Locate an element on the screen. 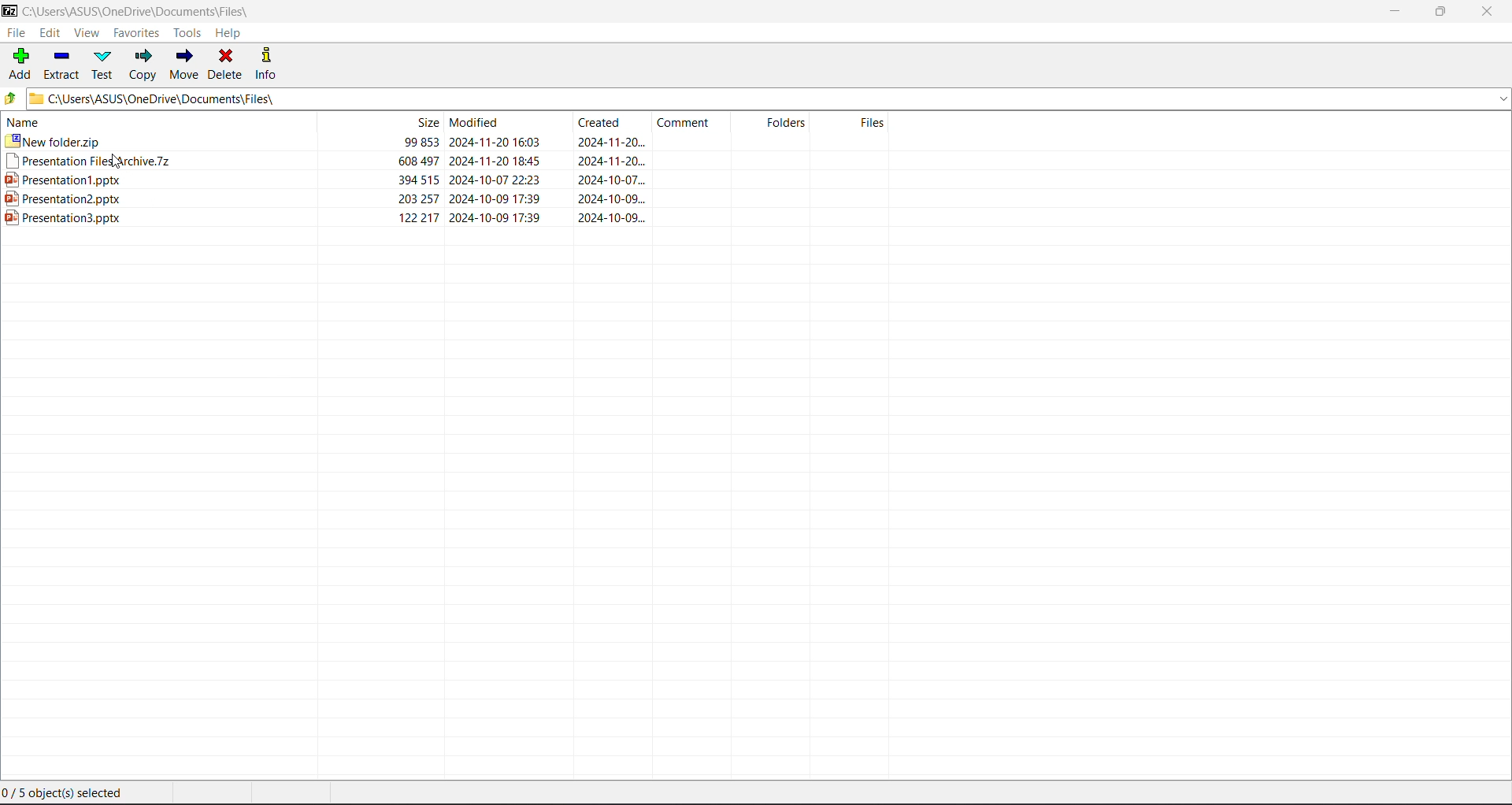 The image size is (1512, 805). Move Up one level is located at coordinates (11, 98).